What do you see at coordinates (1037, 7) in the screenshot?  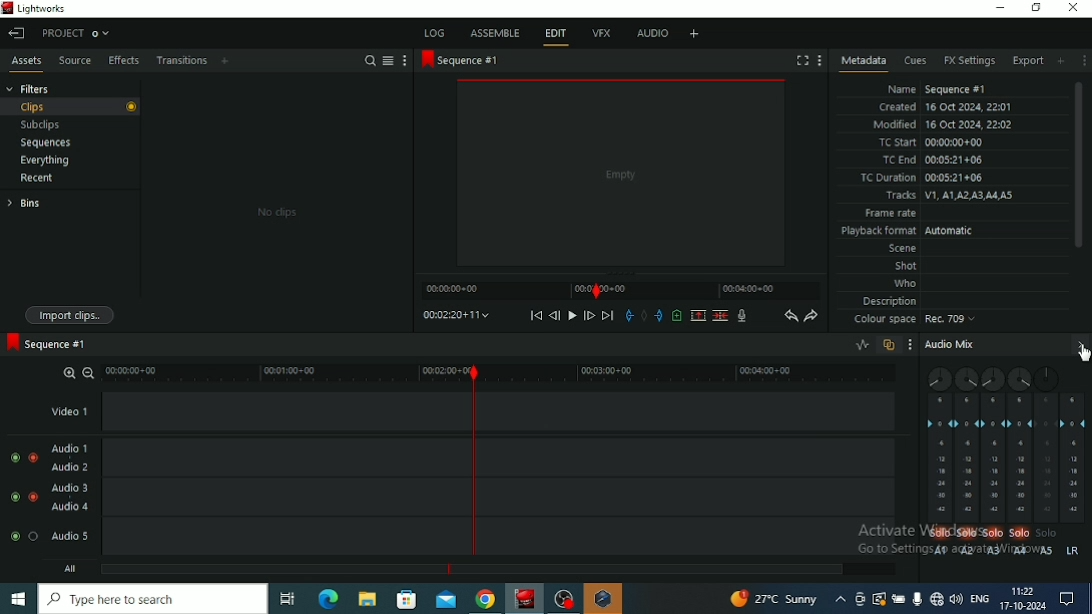 I see `Restore down` at bounding box center [1037, 7].